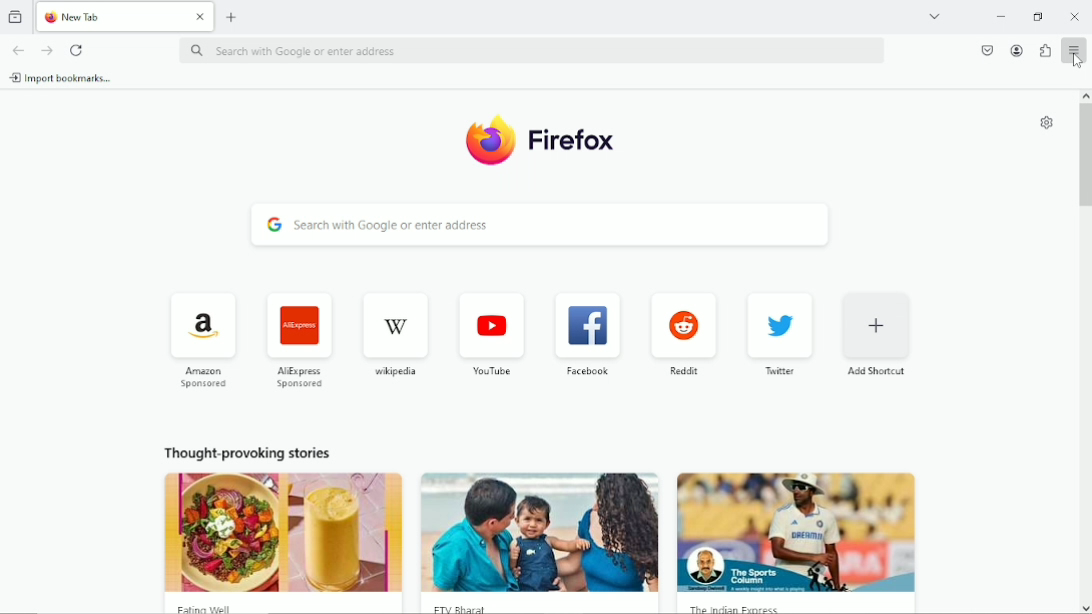 The height and width of the screenshot is (614, 1092). I want to click on wikipedia, so click(393, 373).